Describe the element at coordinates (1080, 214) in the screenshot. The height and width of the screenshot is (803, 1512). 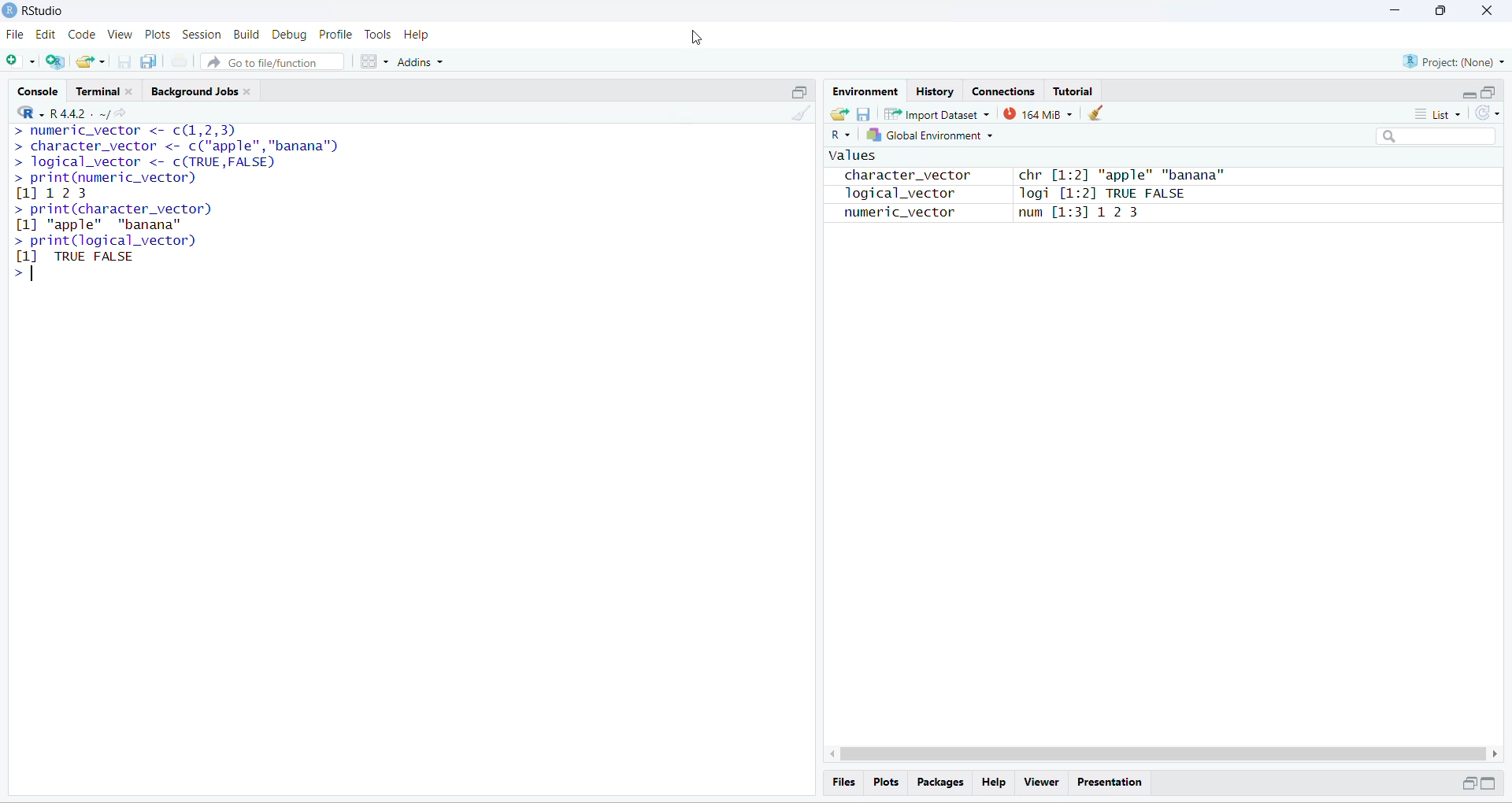
I see `num [1:31 12 3` at that location.